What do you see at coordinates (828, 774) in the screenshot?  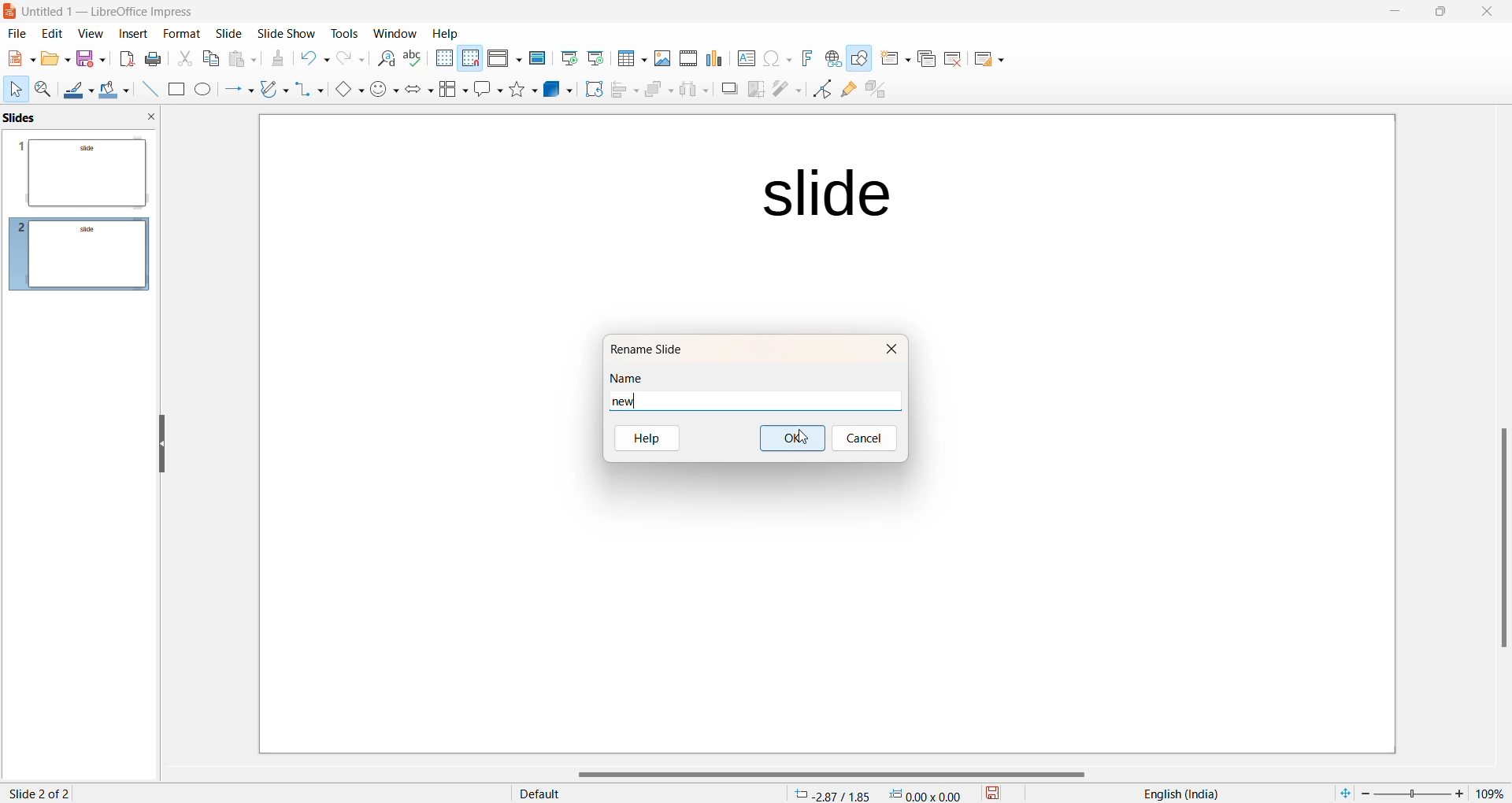 I see `horizontal scrollbar` at bounding box center [828, 774].